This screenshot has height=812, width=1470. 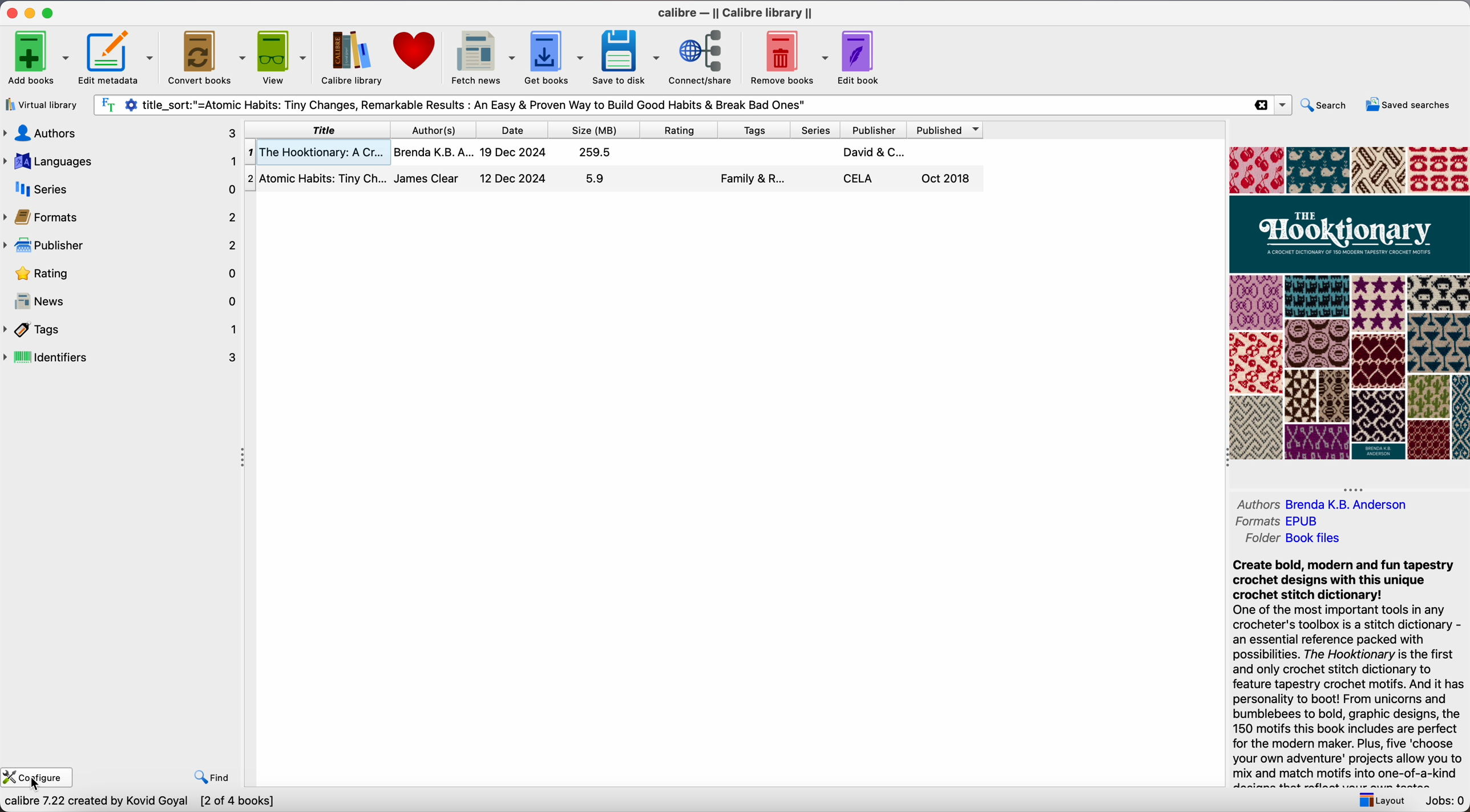 What do you see at coordinates (664, 104) in the screenshot?
I see `search bar` at bounding box center [664, 104].